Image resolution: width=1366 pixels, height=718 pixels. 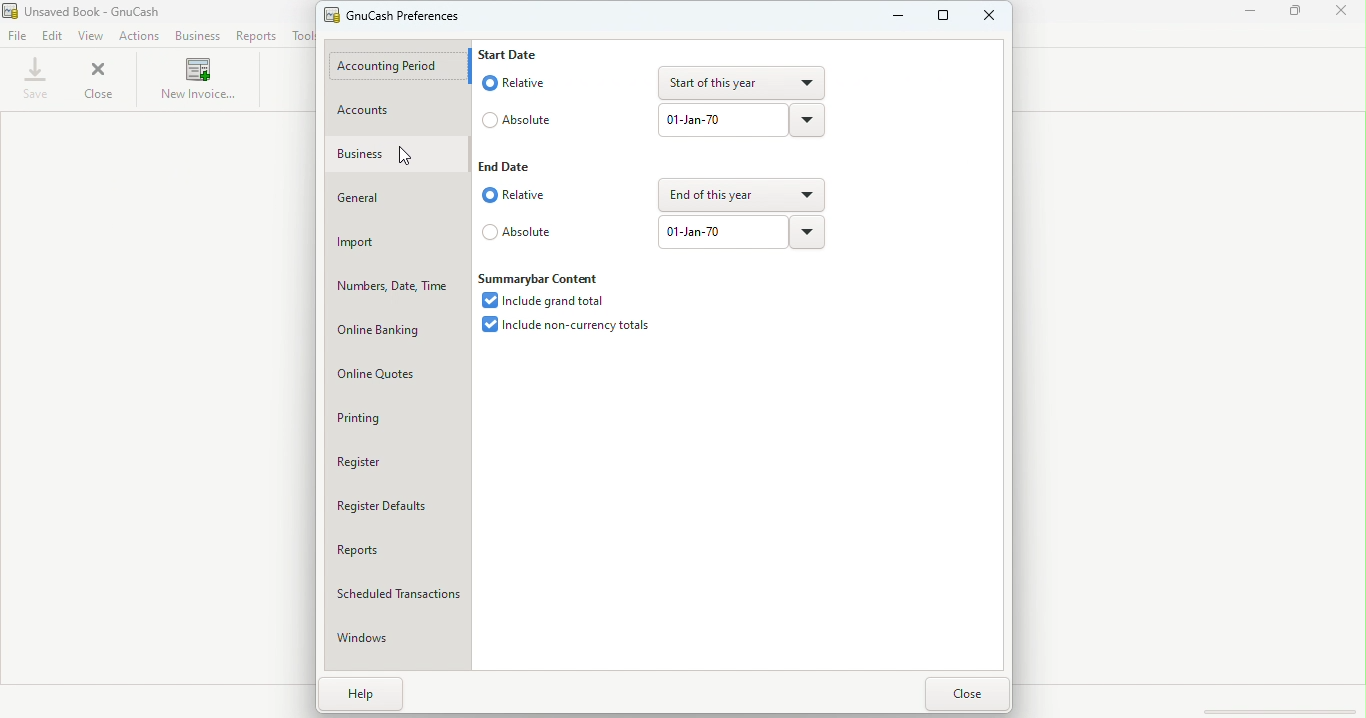 What do you see at coordinates (53, 37) in the screenshot?
I see `Edit` at bounding box center [53, 37].